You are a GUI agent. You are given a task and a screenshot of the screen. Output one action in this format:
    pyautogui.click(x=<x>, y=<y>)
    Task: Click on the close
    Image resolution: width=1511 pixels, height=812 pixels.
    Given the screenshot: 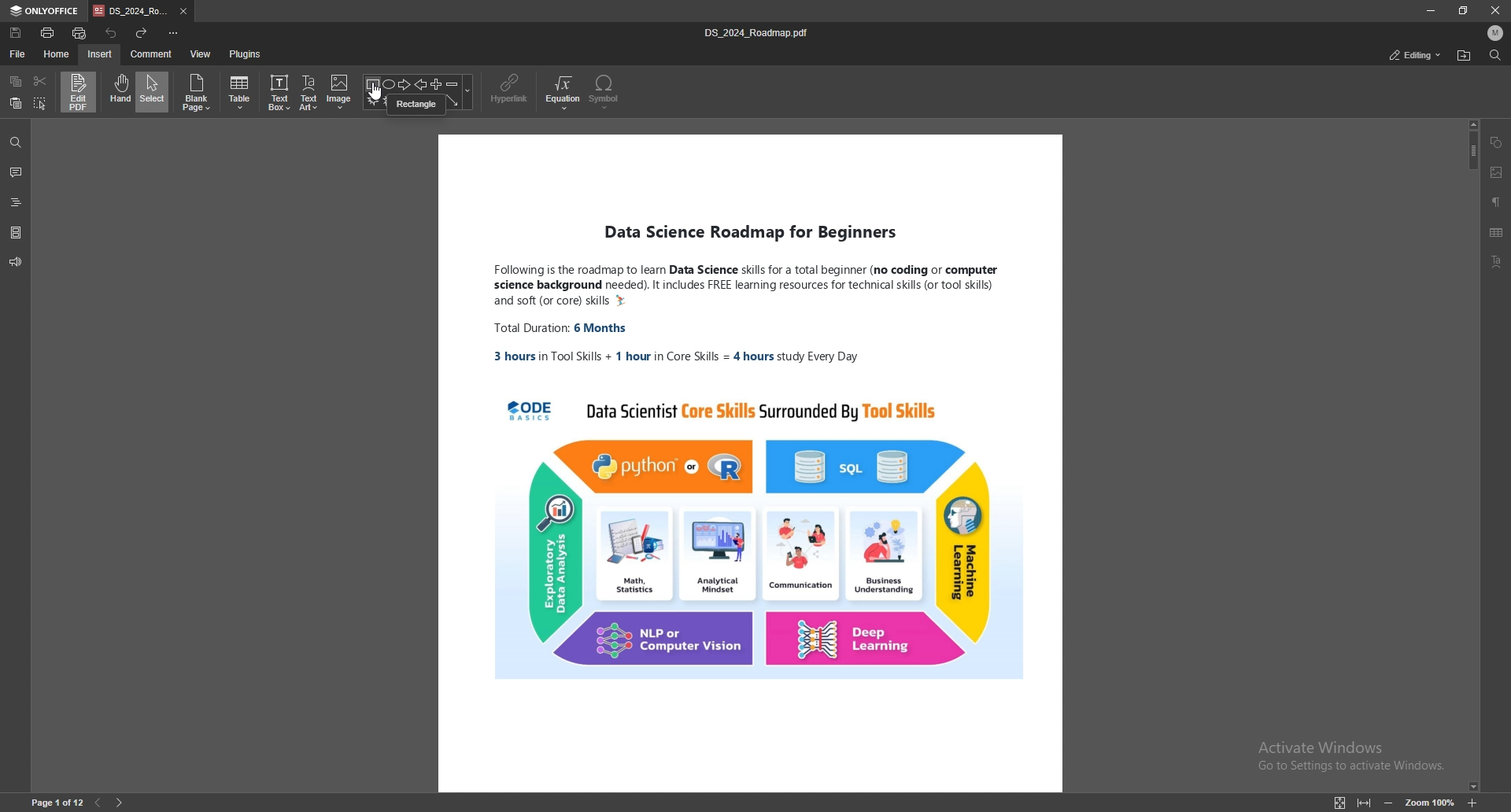 What is the action you would take?
    pyautogui.click(x=1495, y=9)
    